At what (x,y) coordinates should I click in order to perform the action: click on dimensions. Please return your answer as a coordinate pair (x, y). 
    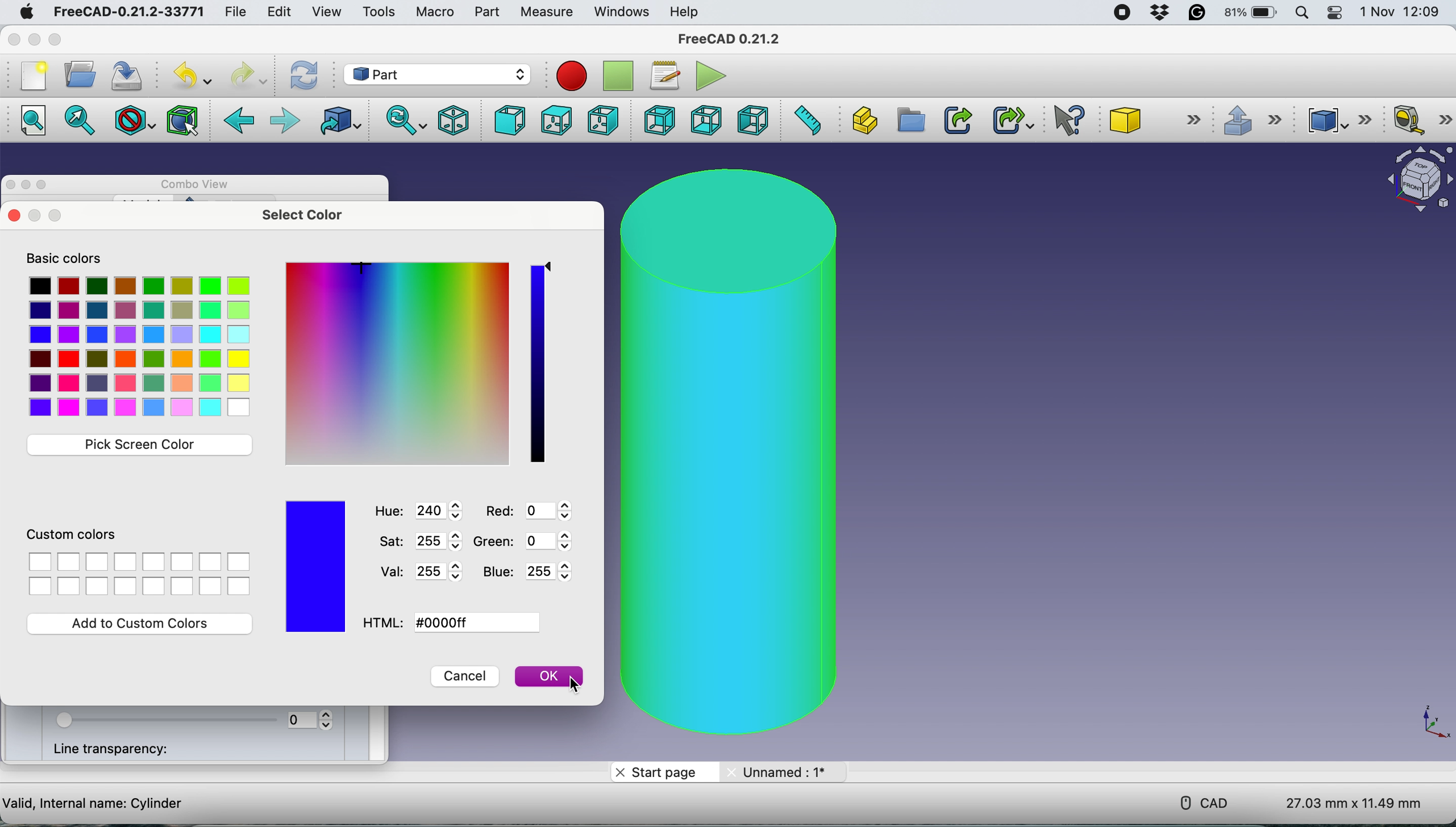
    Looking at the image, I should click on (1347, 803).